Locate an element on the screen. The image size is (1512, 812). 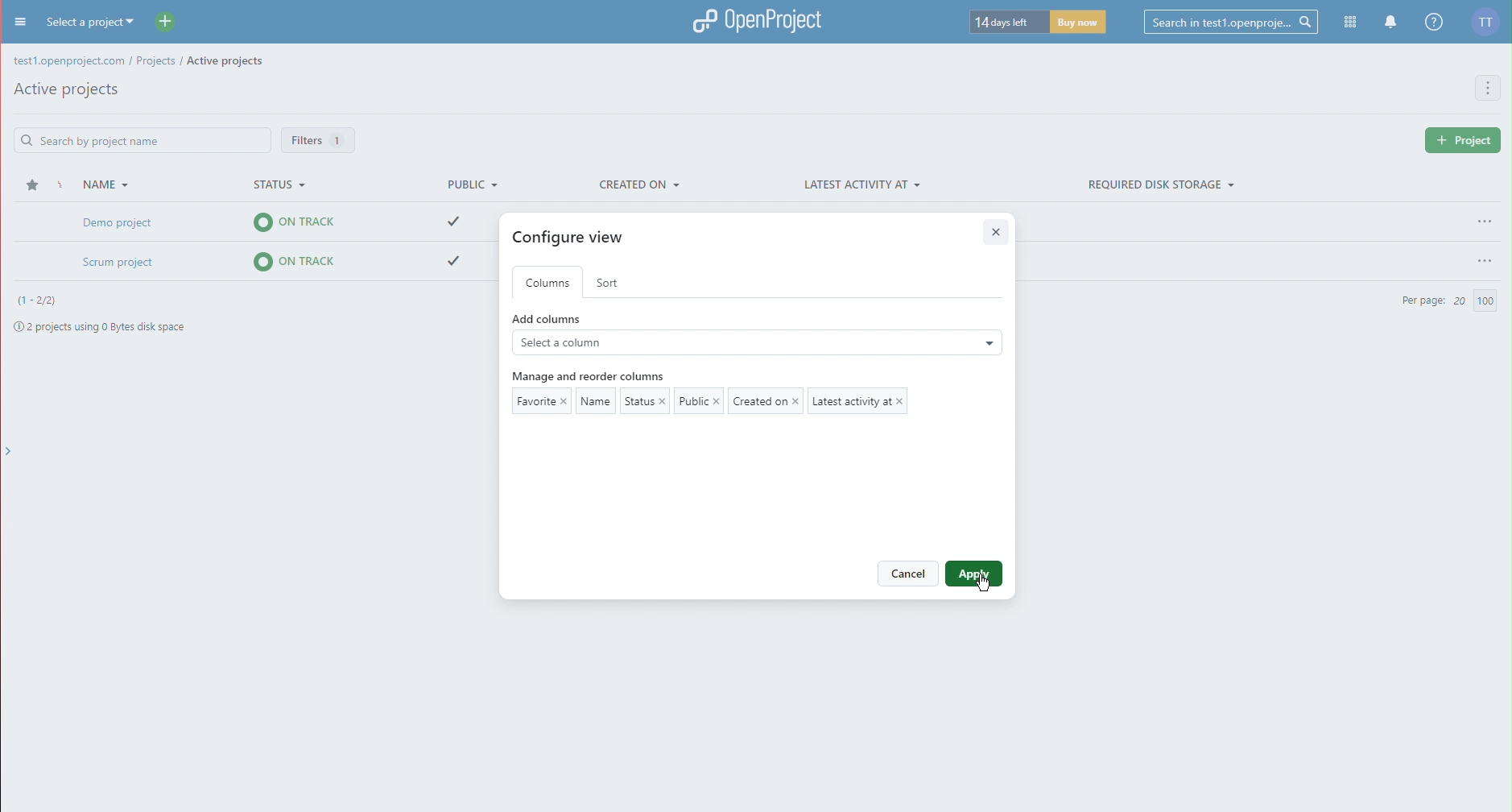
Scrum project is located at coordinates (274, 264).